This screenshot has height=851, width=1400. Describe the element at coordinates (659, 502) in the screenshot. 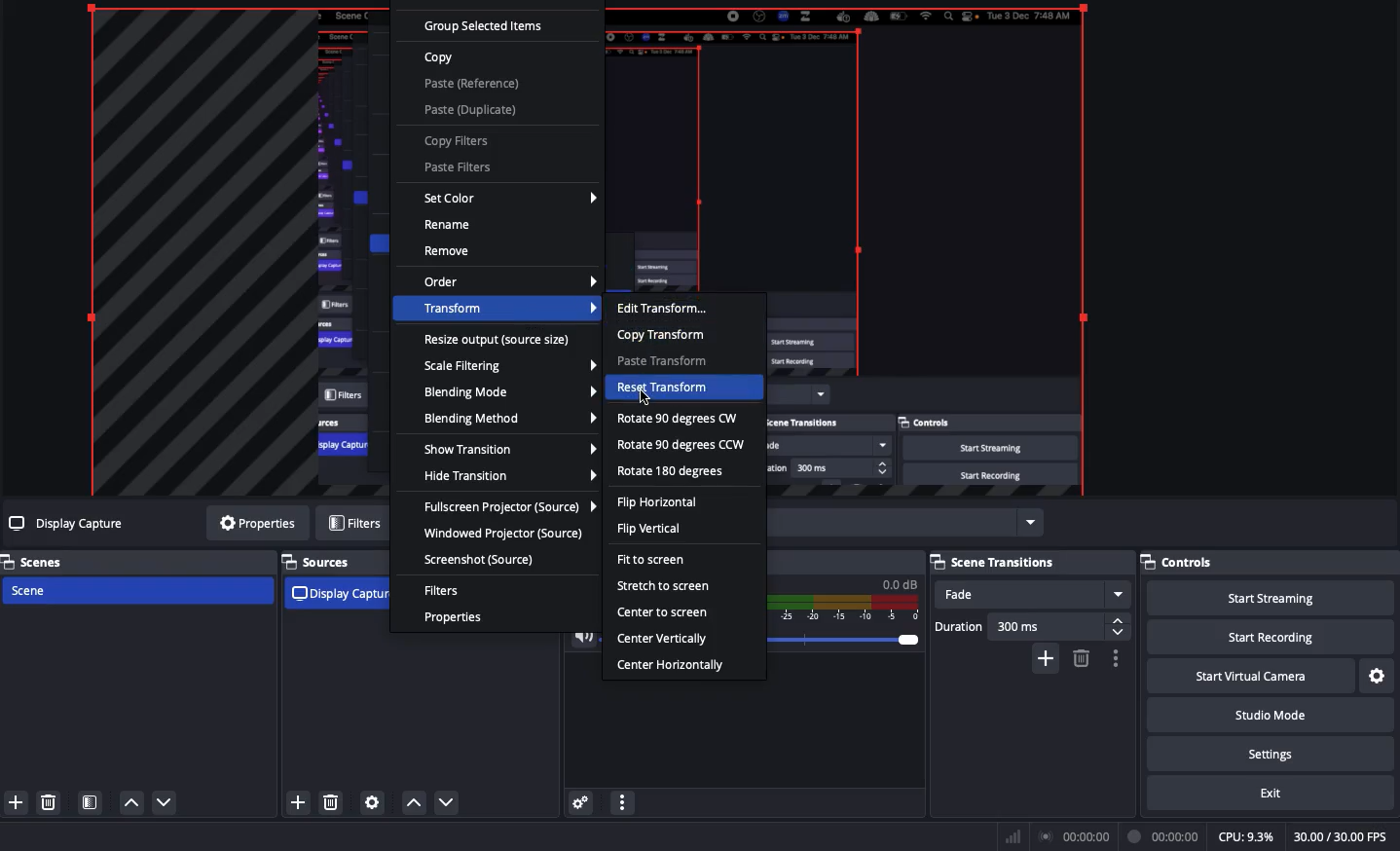

I see `Flip horizontal ` at that location.